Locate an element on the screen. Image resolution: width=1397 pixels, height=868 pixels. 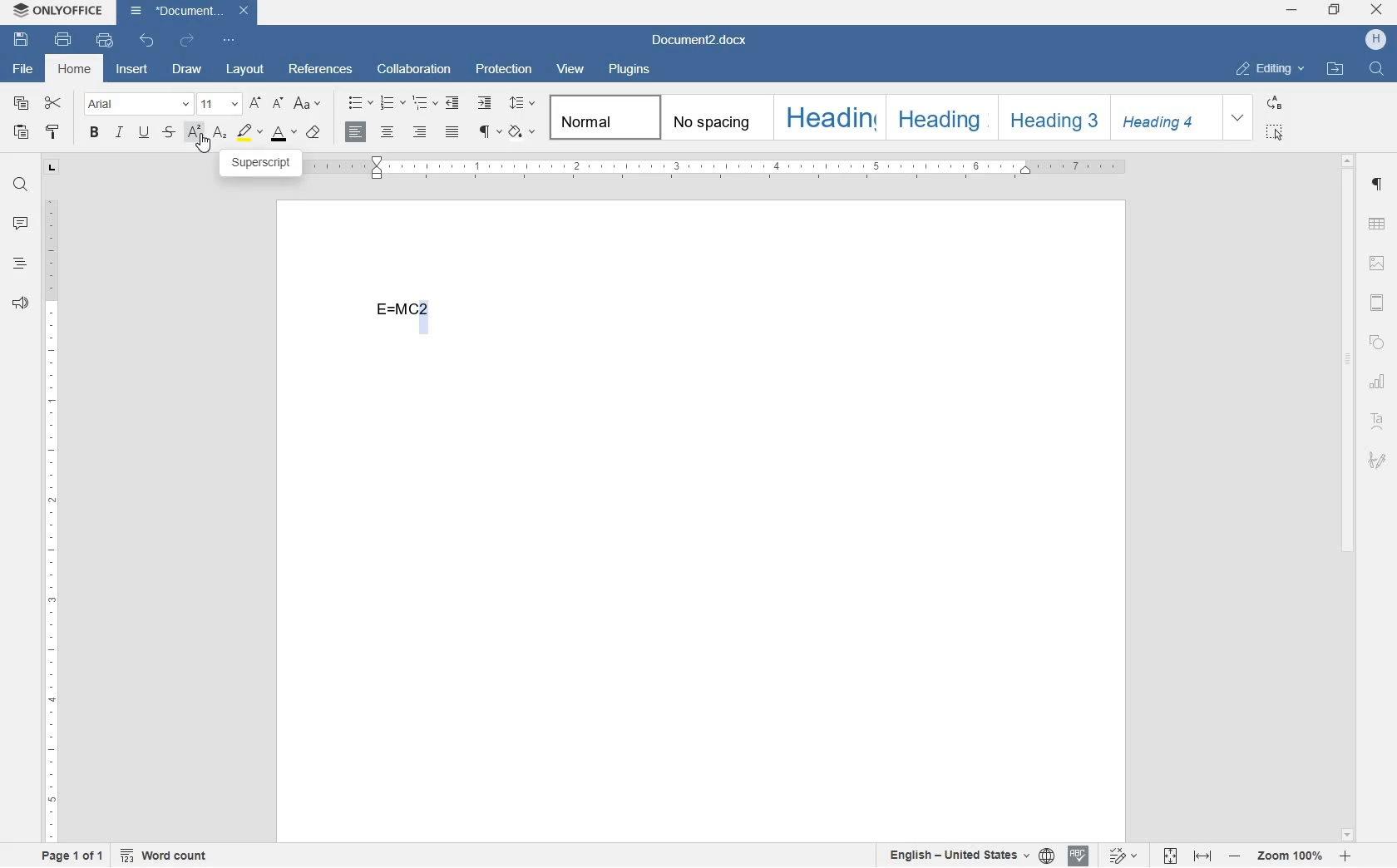
decrement font size is located at coordinates (276, 103).